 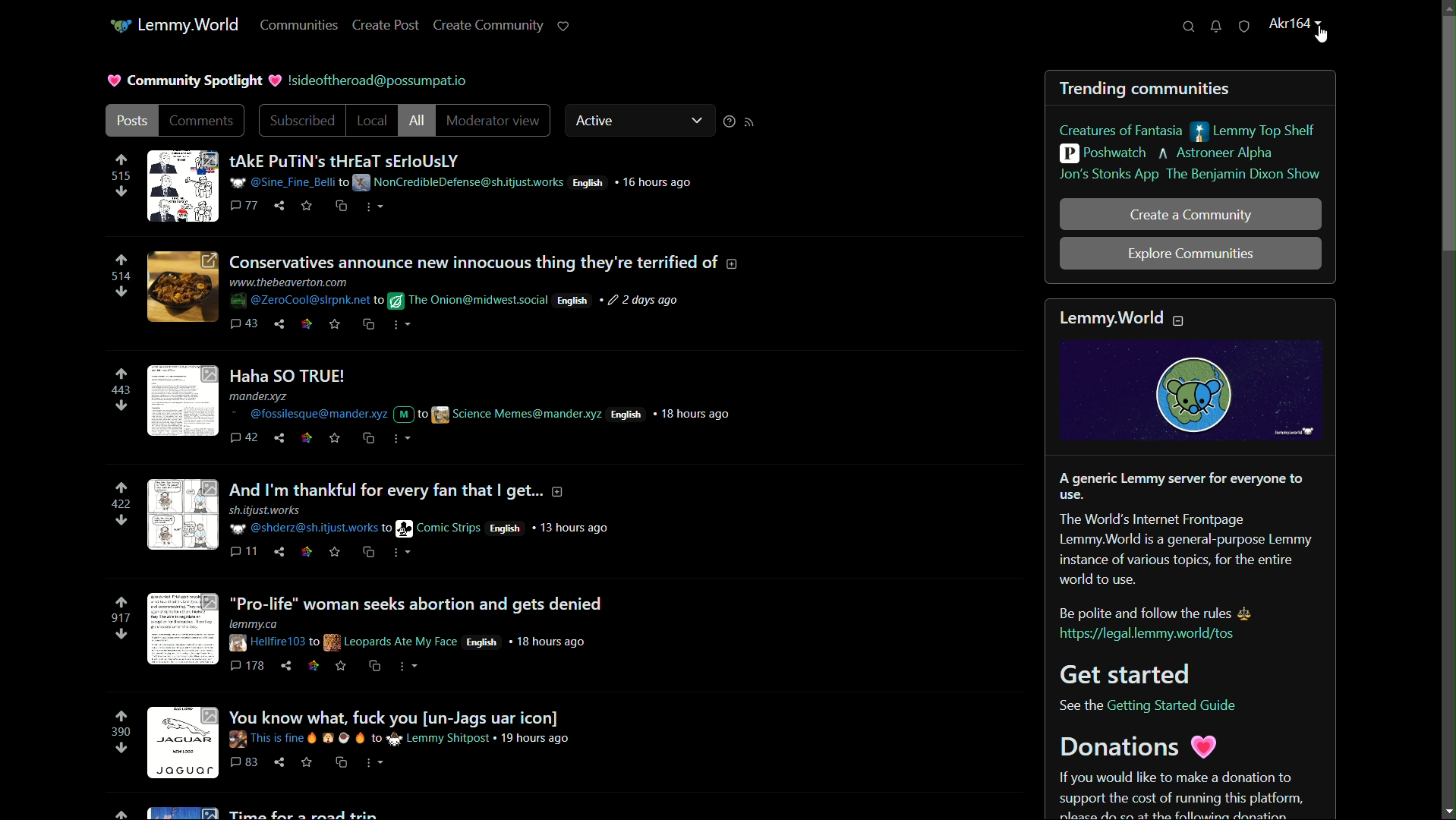 What do you see at coordinates (386, 27) in the screenshot?
I see `create post` at bounding box center [386, 27].